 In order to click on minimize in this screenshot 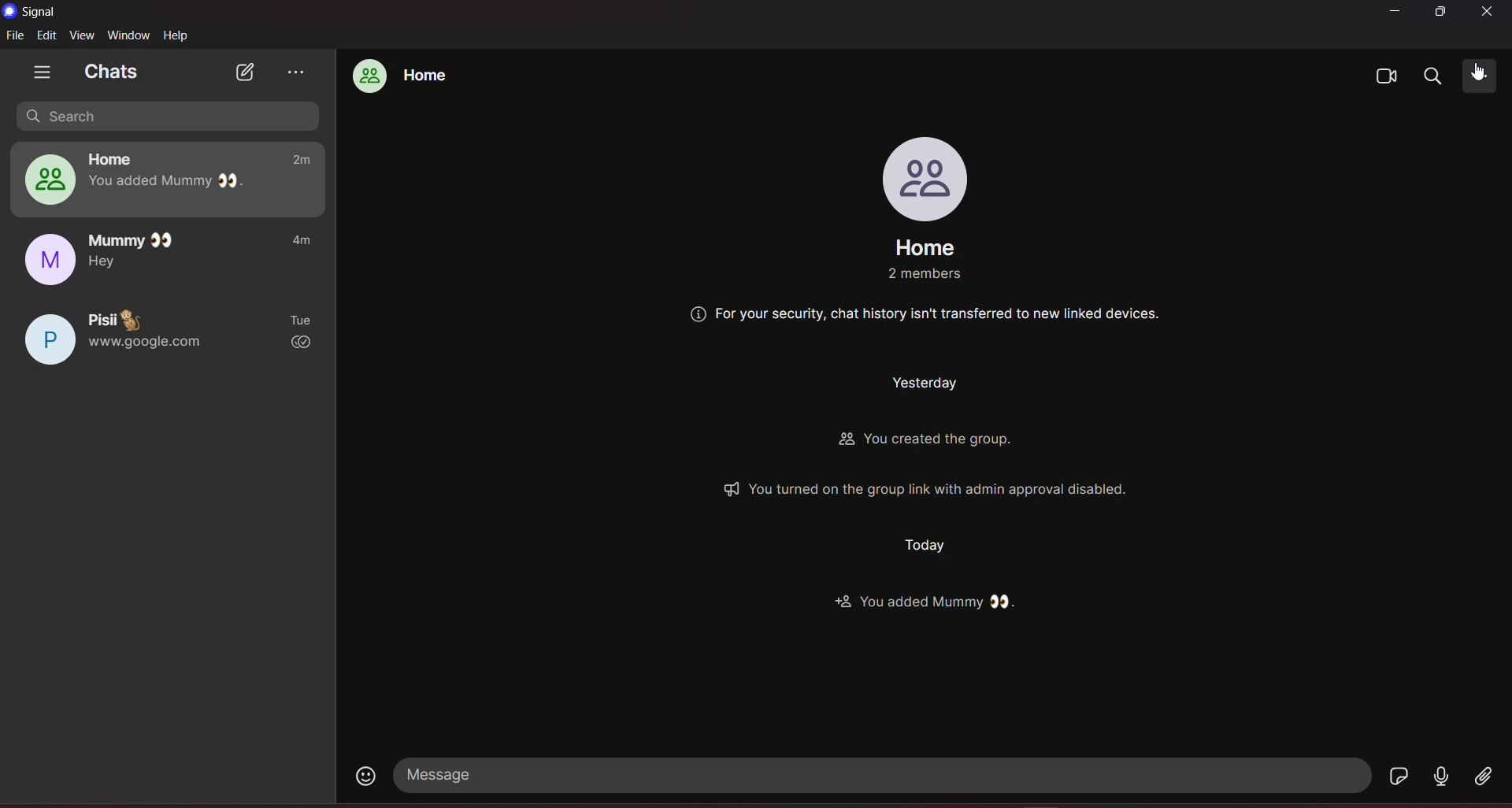, I will do `click(1395, 13)`.